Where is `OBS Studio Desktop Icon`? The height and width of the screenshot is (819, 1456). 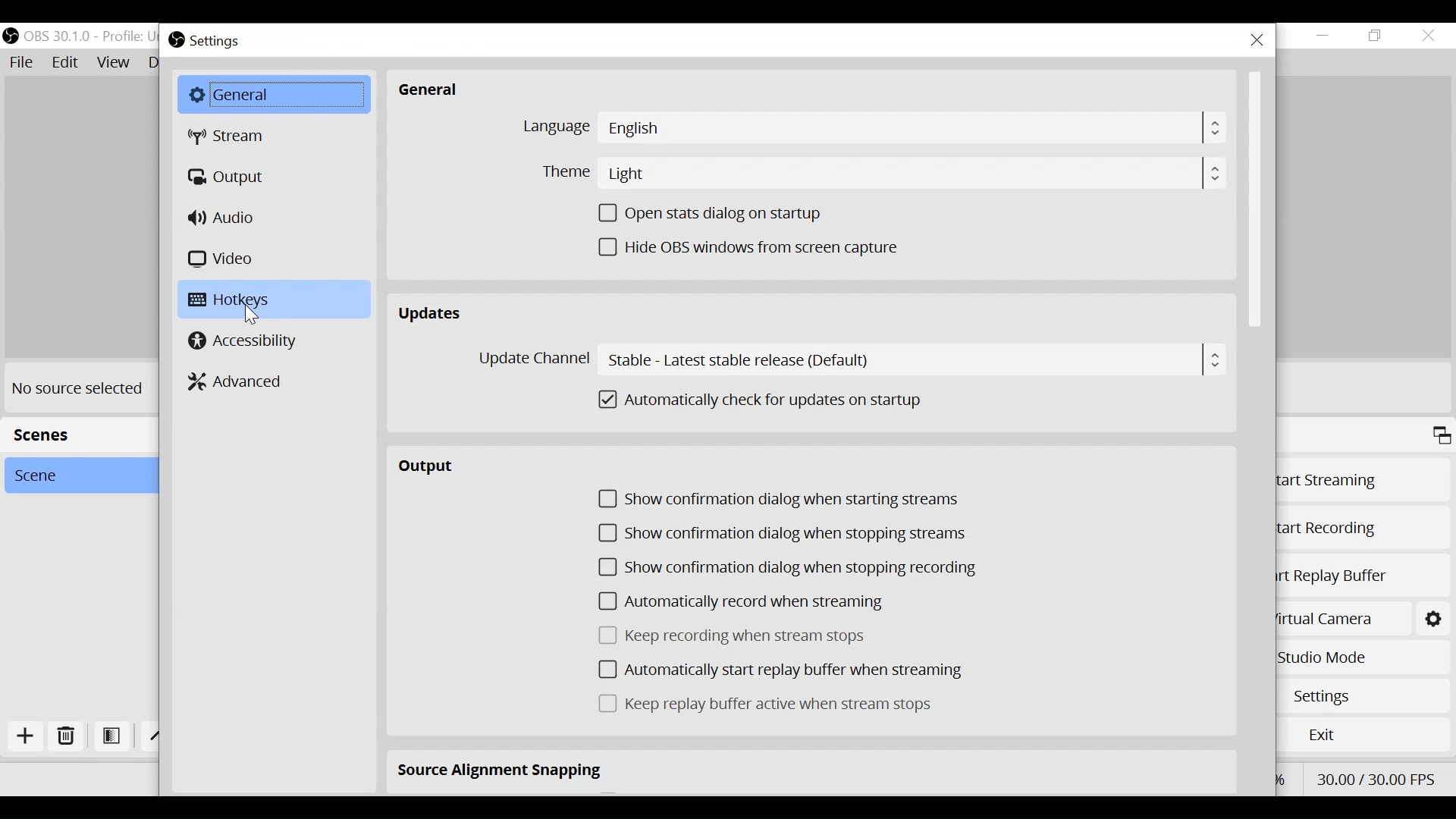
OBS Studio Desktop Icon is located at coordinates (11, 36).